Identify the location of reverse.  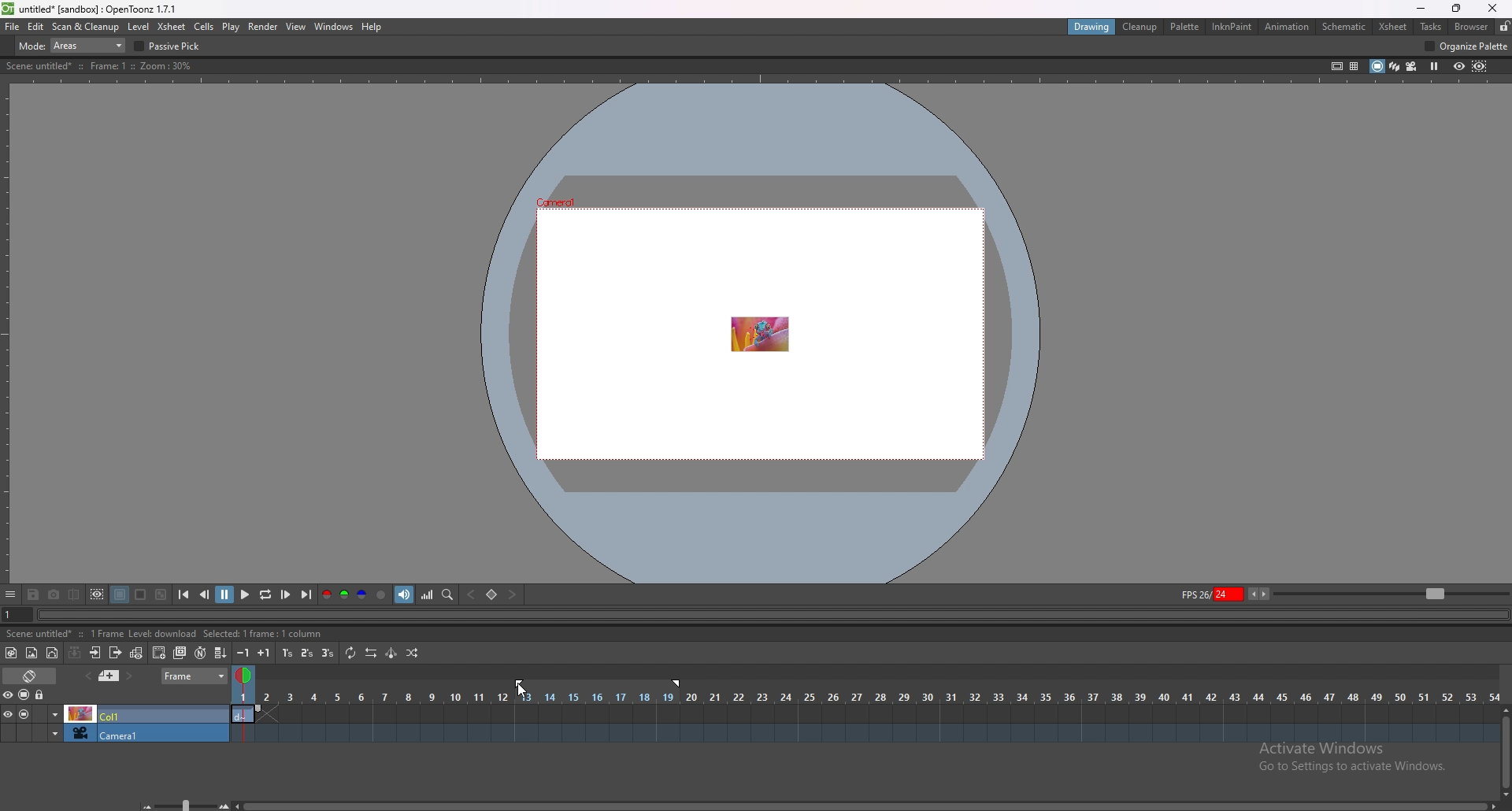
(372, 653).